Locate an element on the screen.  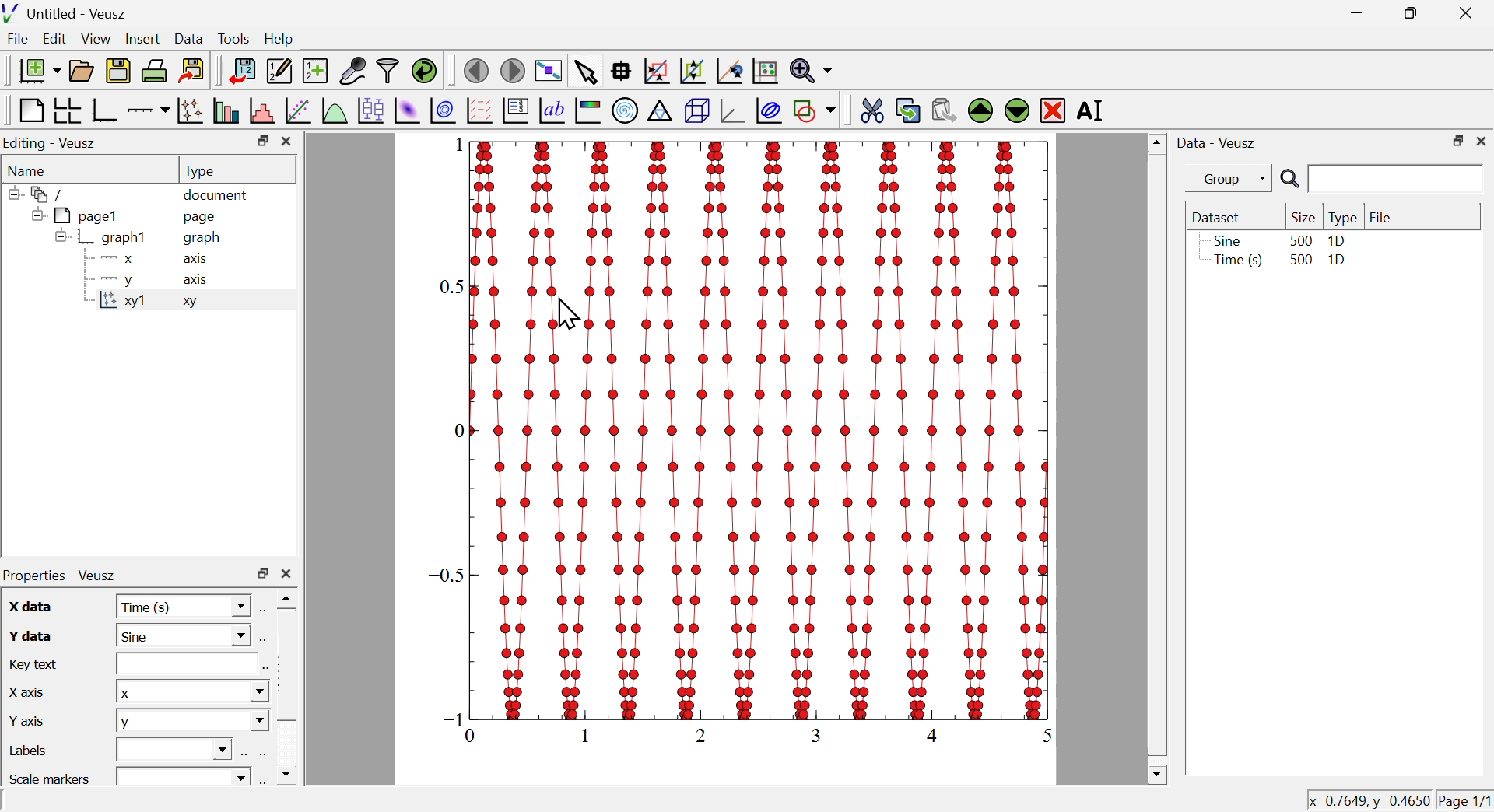
remove the selected widget is located at coordinates (1053, 110).